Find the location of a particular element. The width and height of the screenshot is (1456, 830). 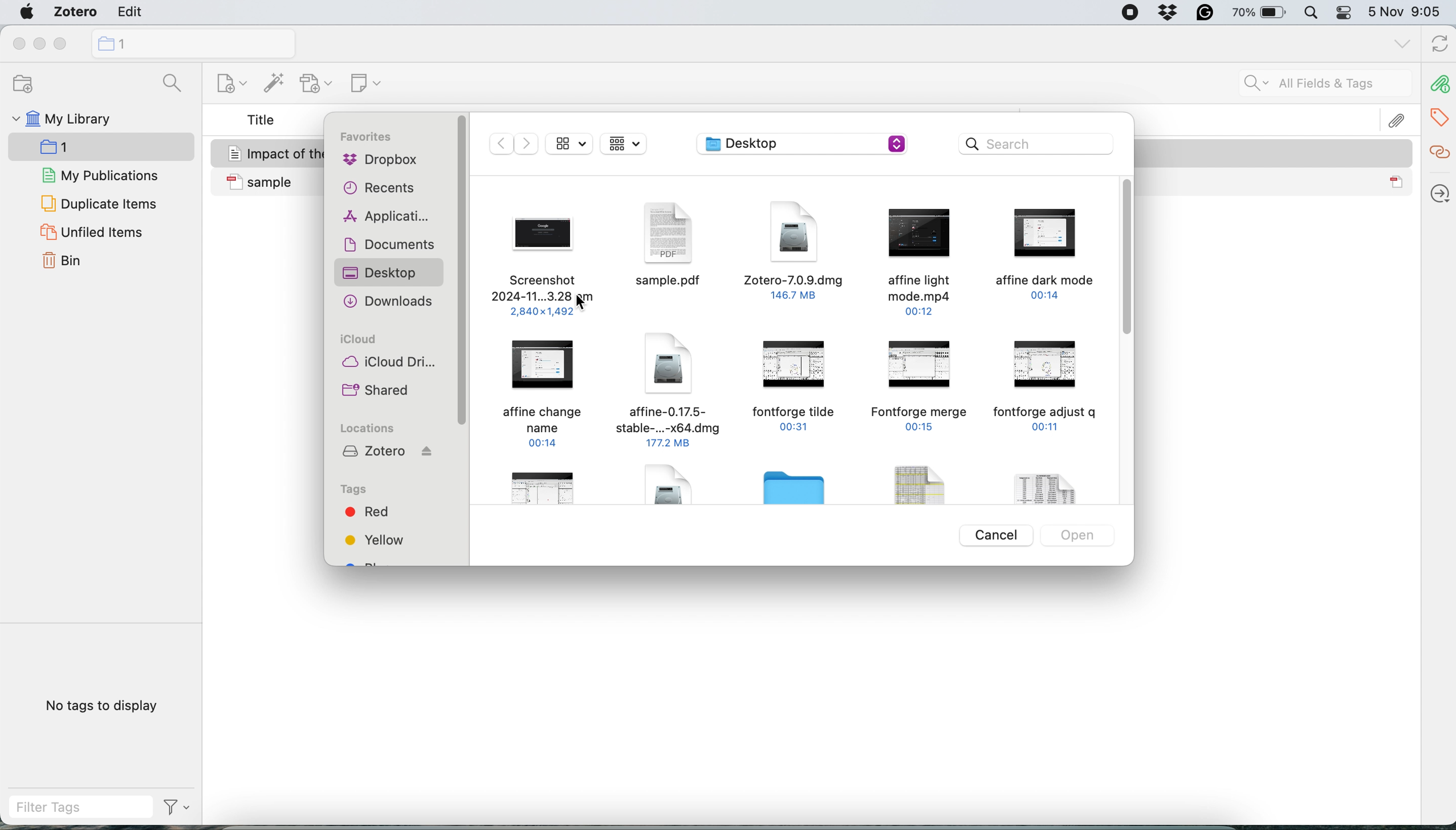

no tags to display is located at coordinates (104, 705).